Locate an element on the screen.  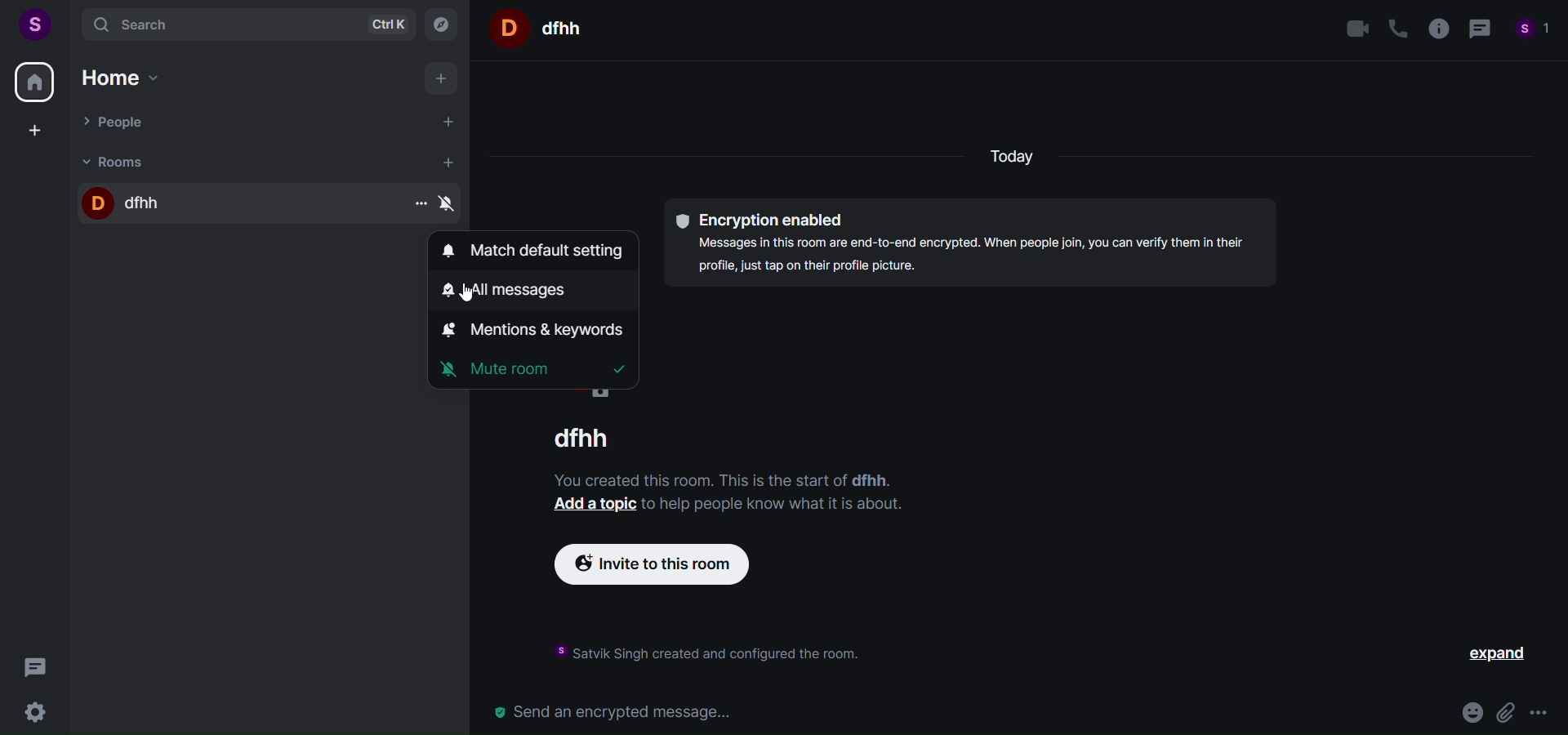
room info is located at coordinates (1439, 29).